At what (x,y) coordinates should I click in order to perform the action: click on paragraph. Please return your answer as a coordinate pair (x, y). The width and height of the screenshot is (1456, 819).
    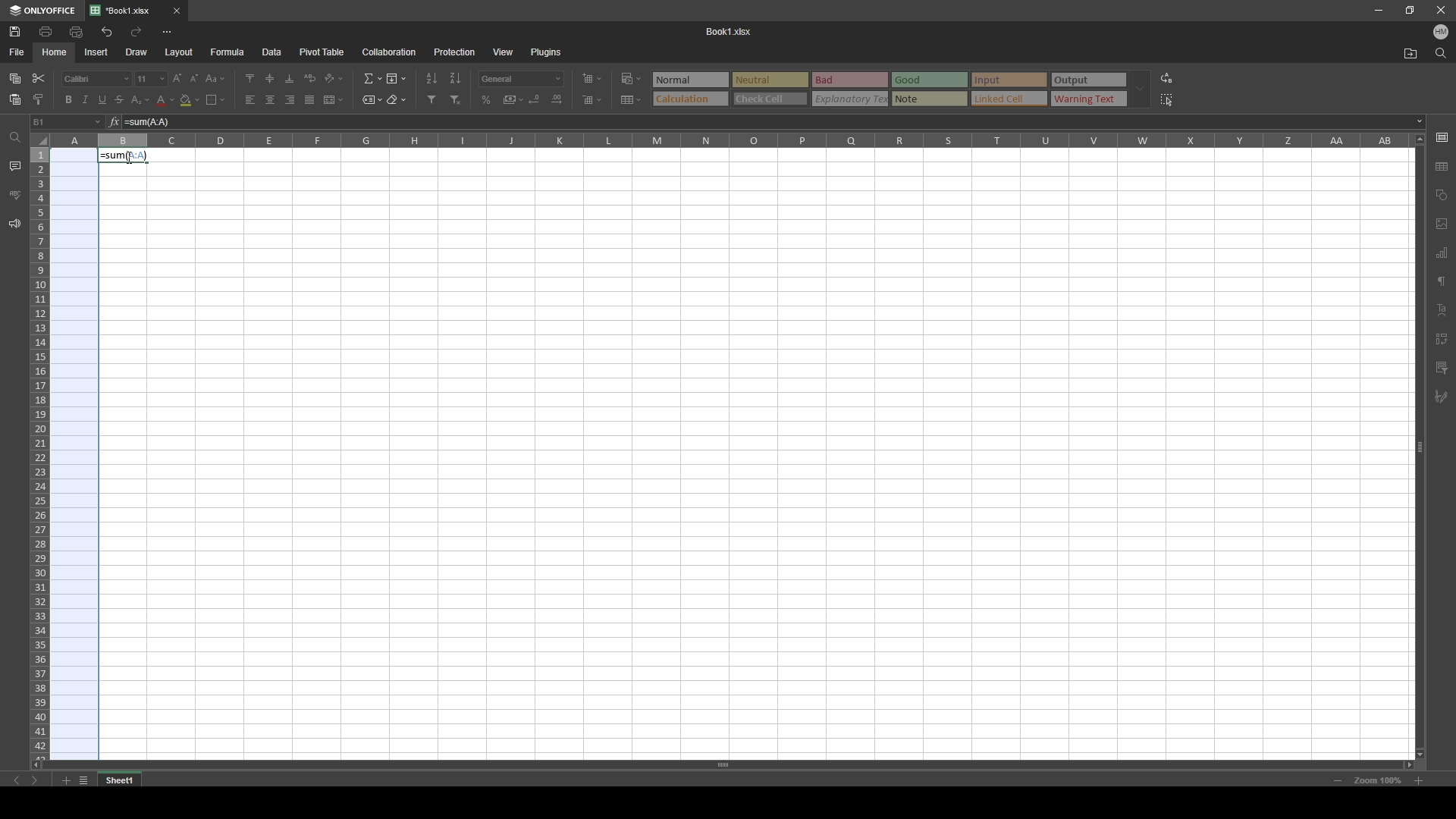
    Looking at the image, I should click on (1443, 280).